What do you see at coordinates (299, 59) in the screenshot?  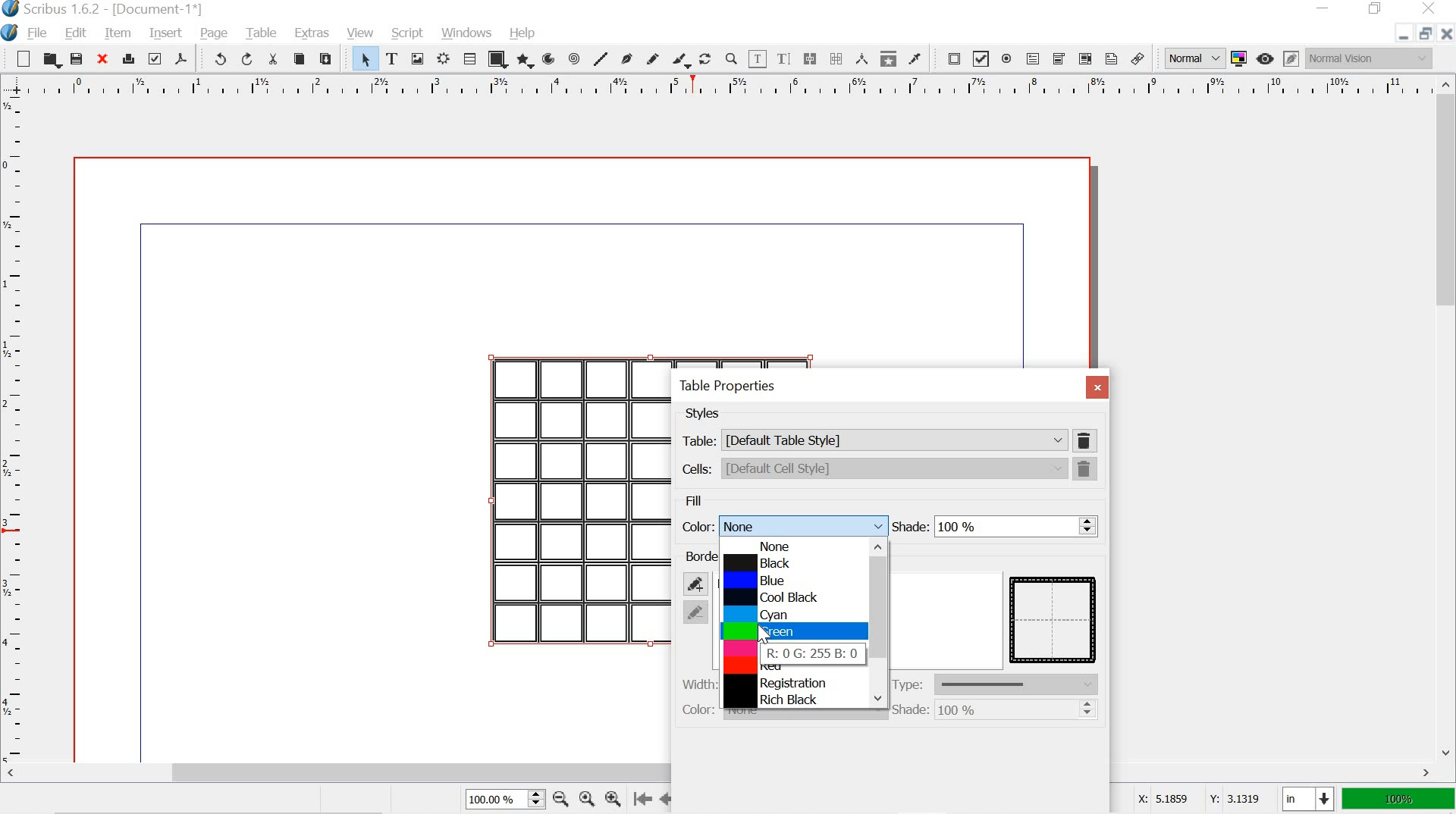 I see `copy` at bounding box center [299, 59].